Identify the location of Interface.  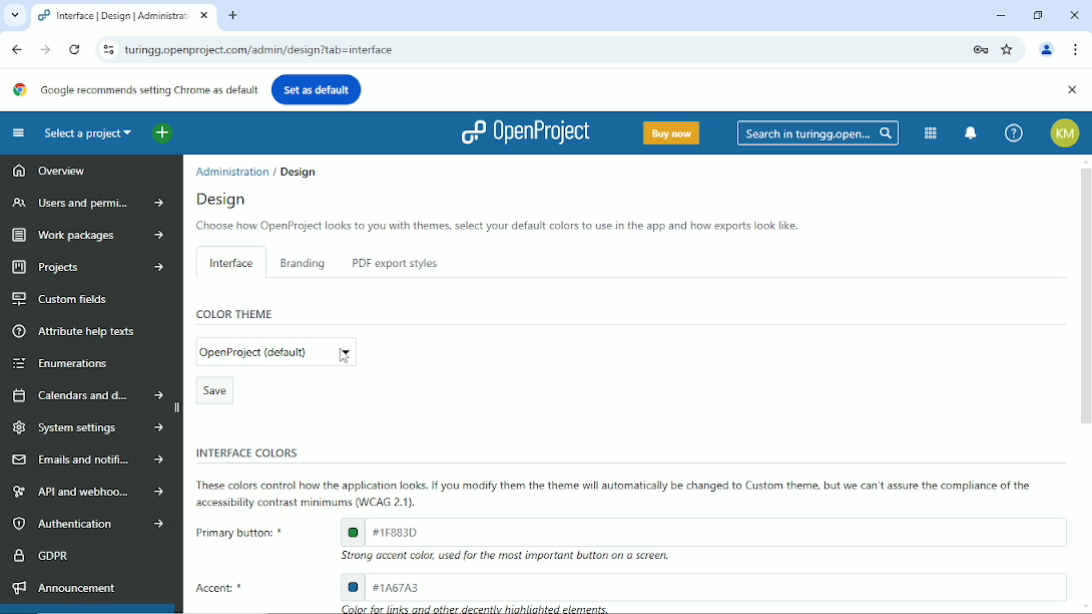
(228, 261).